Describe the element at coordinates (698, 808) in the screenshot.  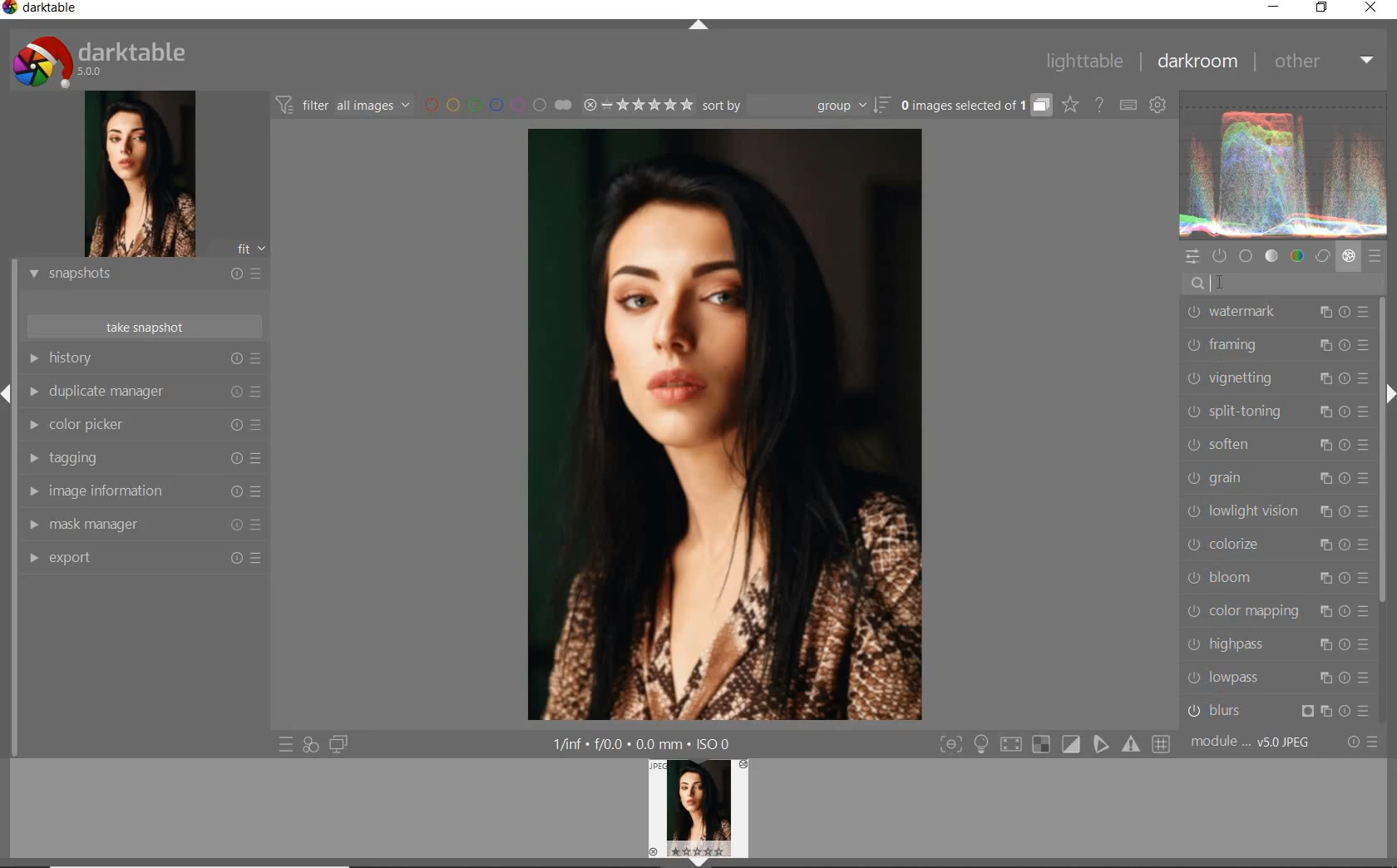
I see `Preview Image` at that location.